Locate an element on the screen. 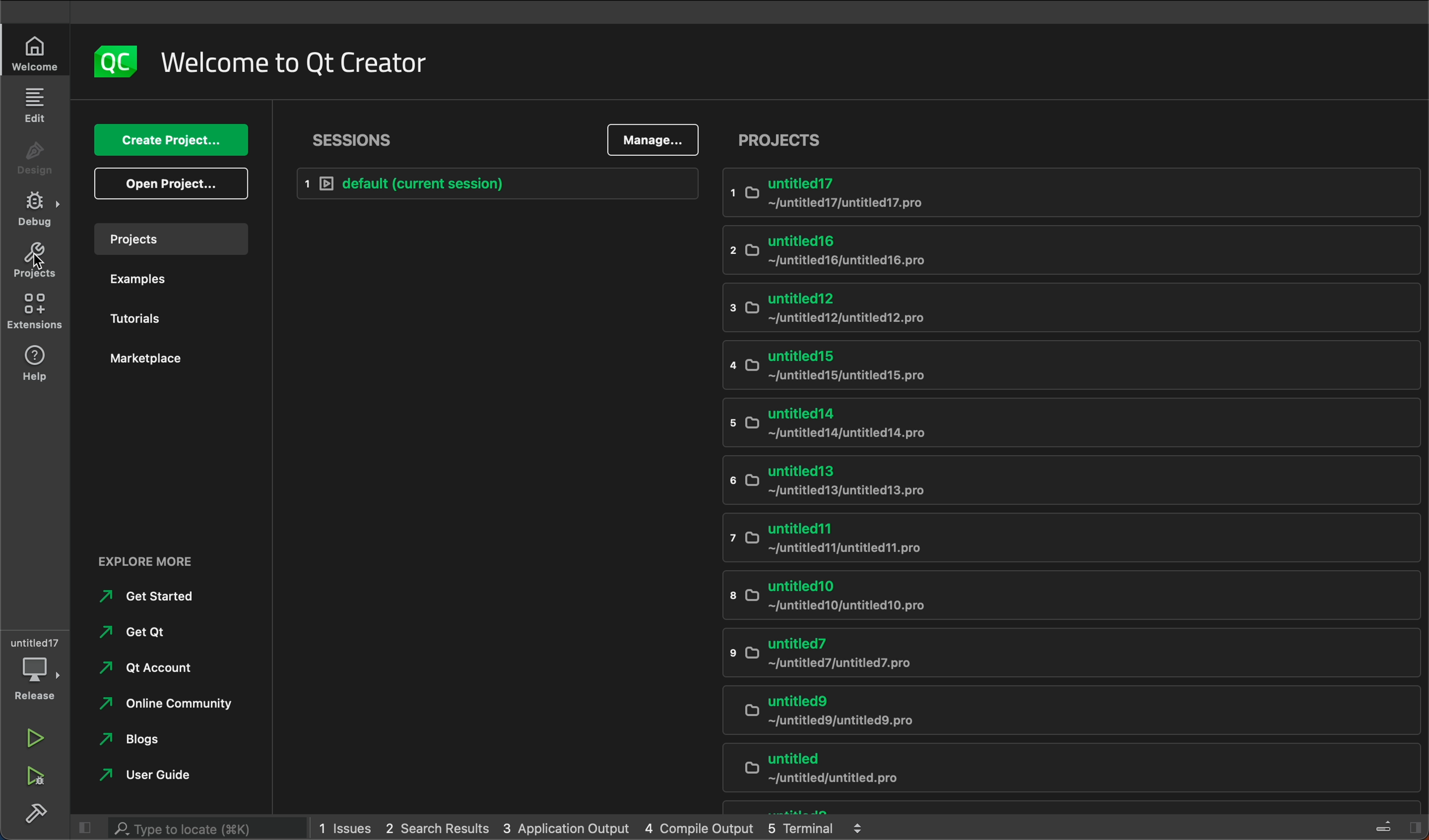 This screenshot has height=840, width=1429. untitled15 is located at coordinates (1063, 363).